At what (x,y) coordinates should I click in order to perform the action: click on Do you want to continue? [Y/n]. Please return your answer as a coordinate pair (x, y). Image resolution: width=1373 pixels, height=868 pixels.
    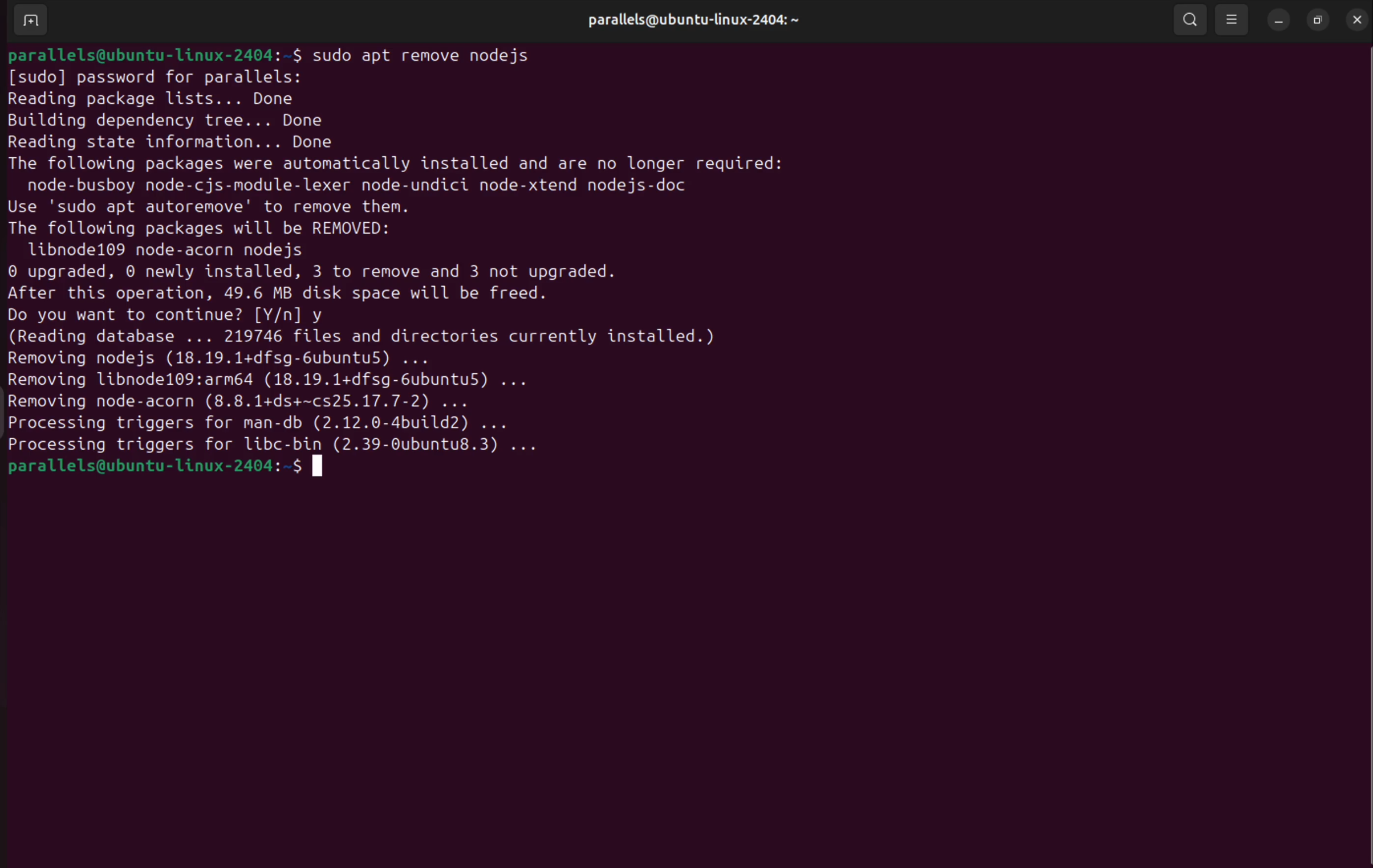
    Looking at the image, I should click on (156, 315).